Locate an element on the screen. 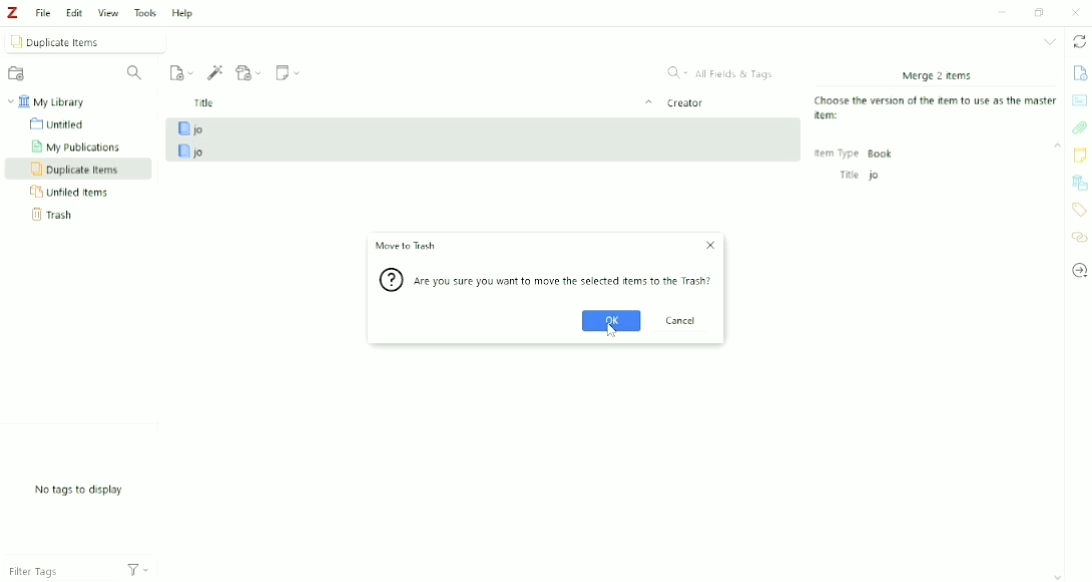  Edit is located at coordinates (74, 12).